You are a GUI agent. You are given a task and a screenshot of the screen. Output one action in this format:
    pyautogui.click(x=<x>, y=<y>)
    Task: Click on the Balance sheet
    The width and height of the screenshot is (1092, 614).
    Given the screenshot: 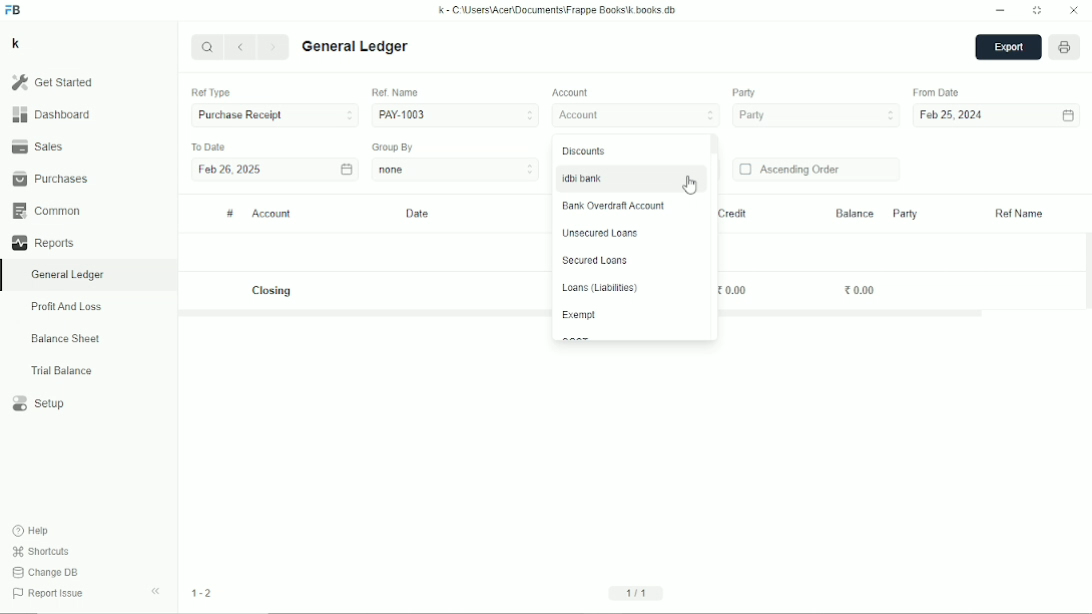 What is the action you would take?
    pyautogui.click(x=66, y=338)
    